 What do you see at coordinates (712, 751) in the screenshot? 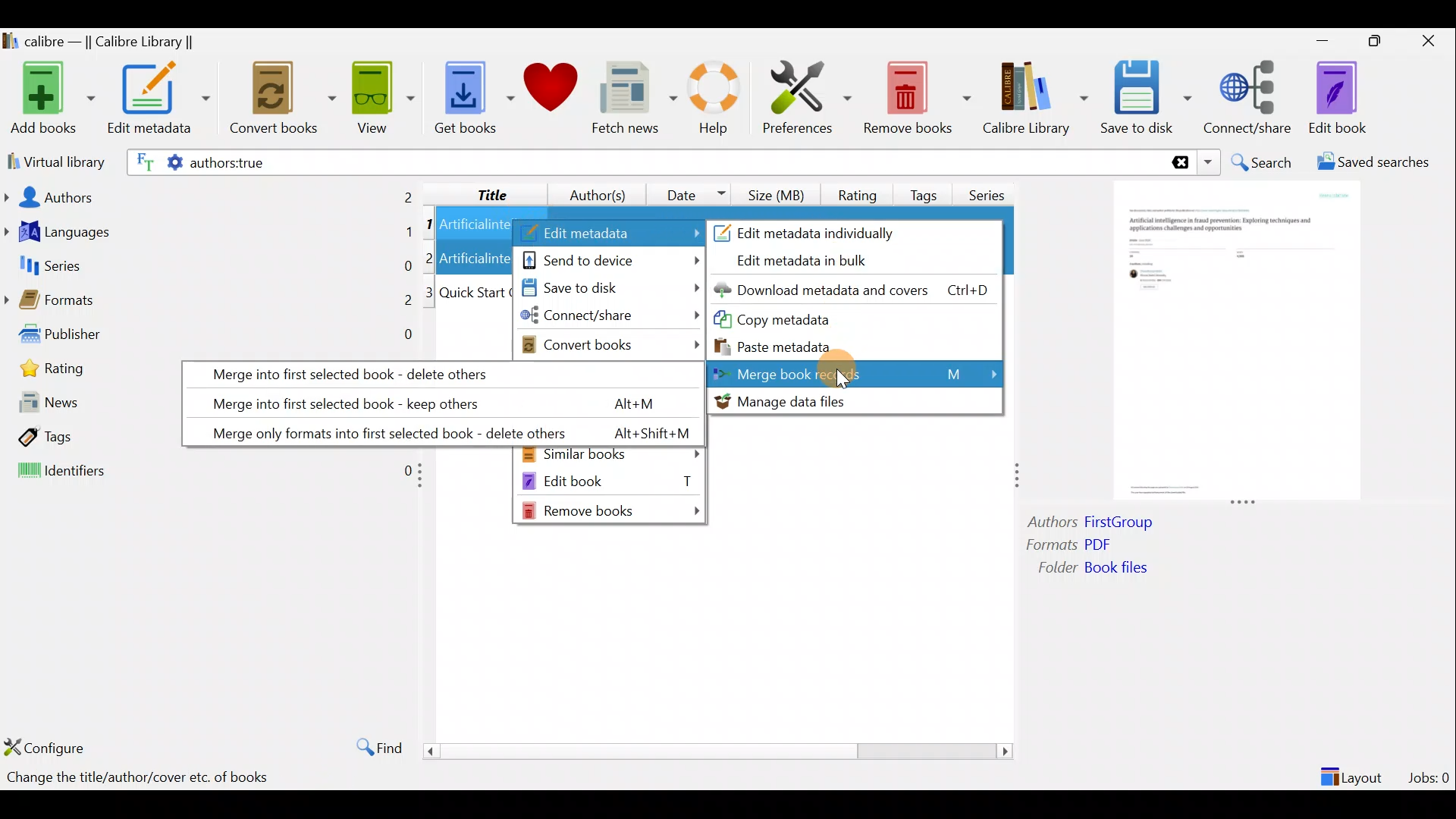
I see `Scroll bar` at bounding box center [712, 751].